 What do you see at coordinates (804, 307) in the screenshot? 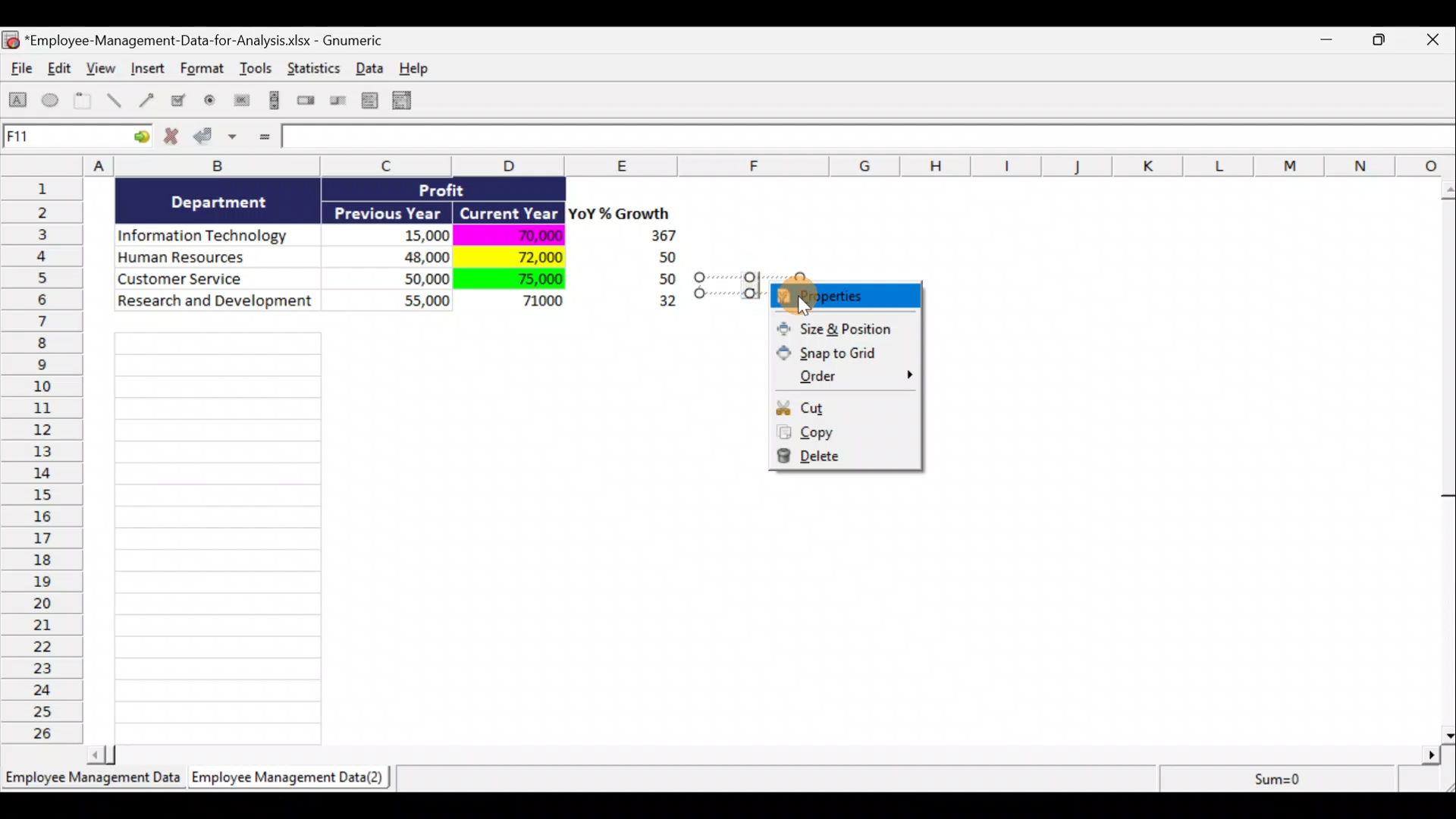
I see `cursor` at bounding box center [804, 307].